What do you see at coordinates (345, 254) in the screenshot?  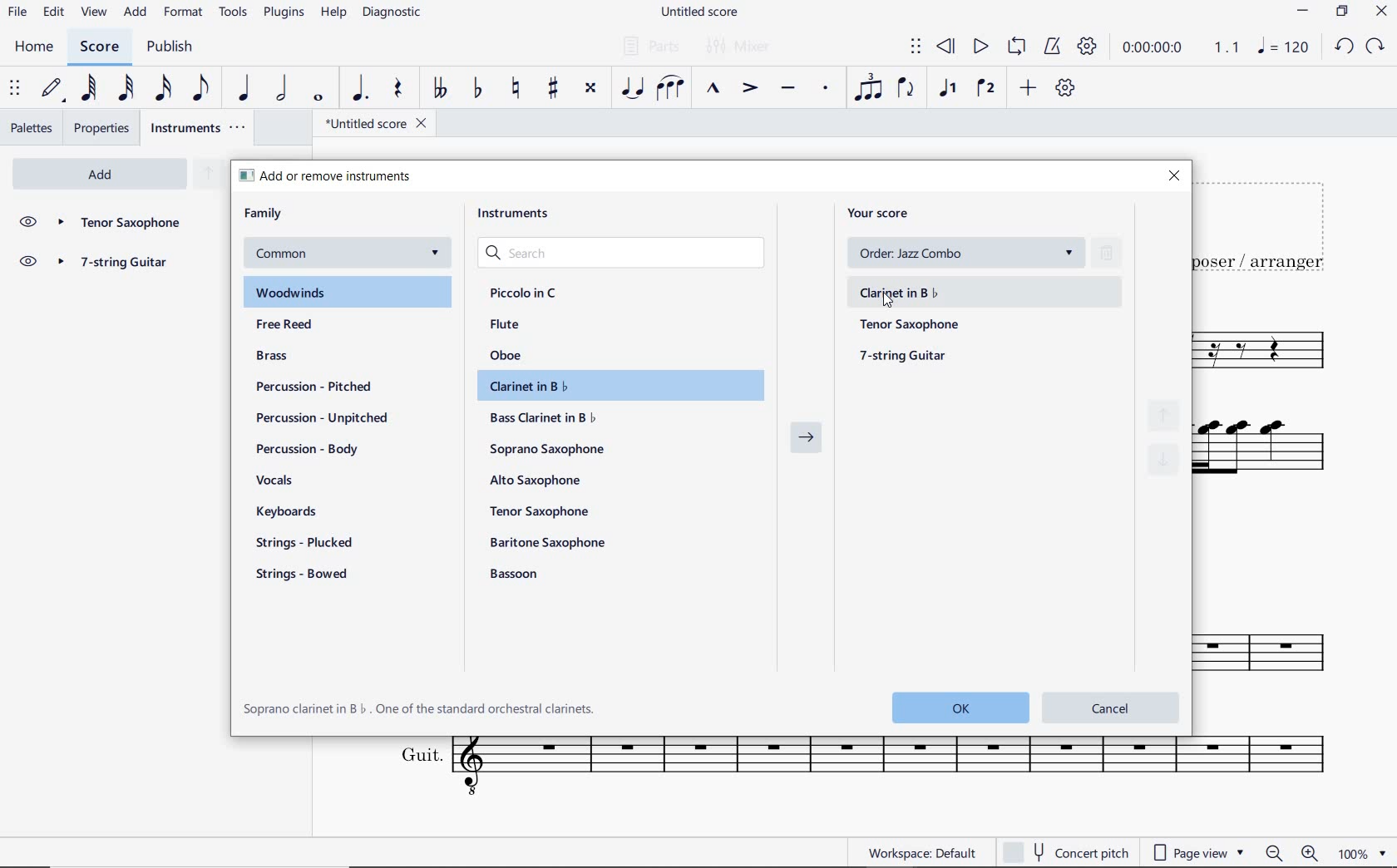 I see `common` at bounding box center [345, 254].